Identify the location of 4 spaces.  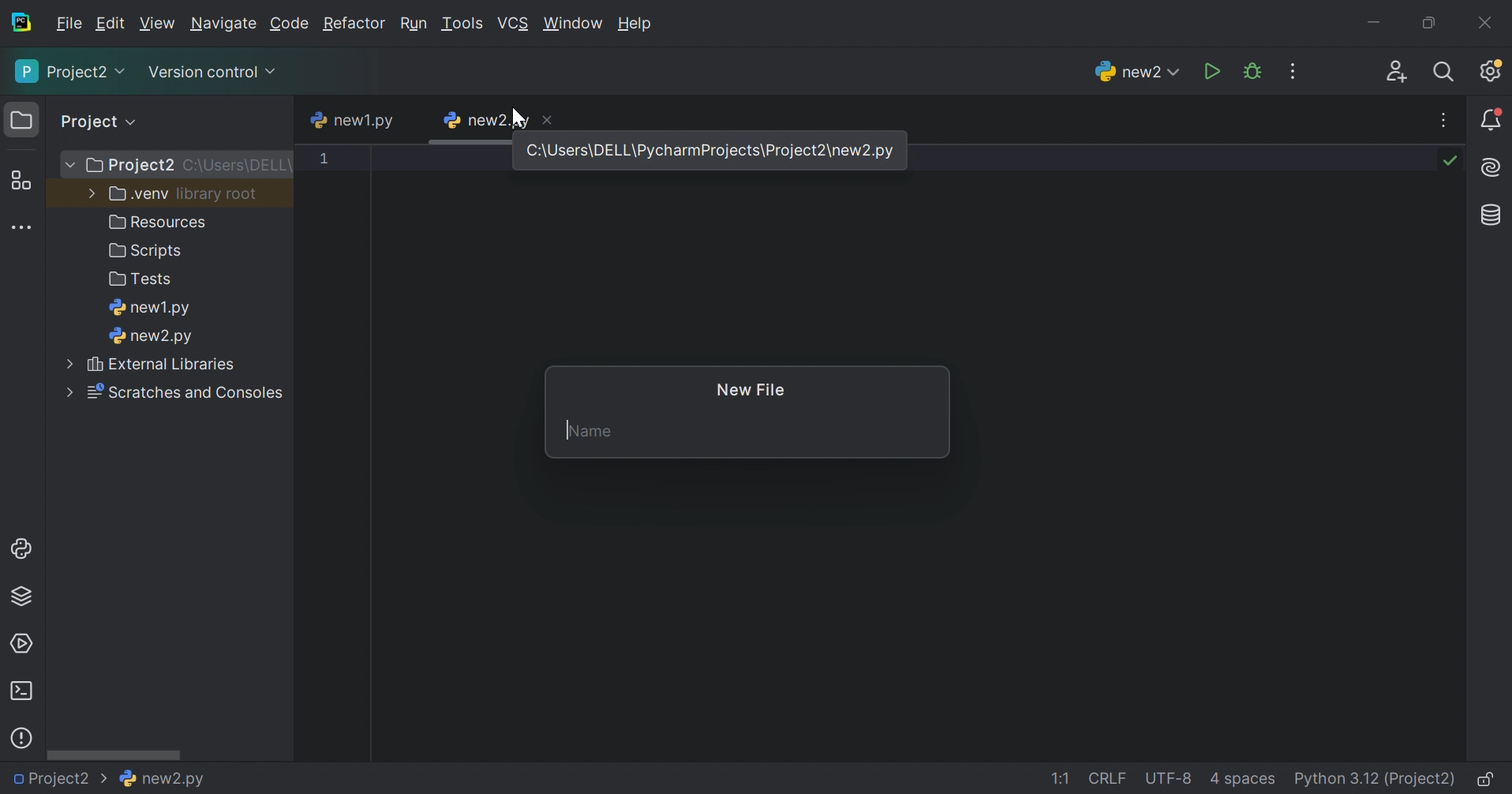
(1243, 781).